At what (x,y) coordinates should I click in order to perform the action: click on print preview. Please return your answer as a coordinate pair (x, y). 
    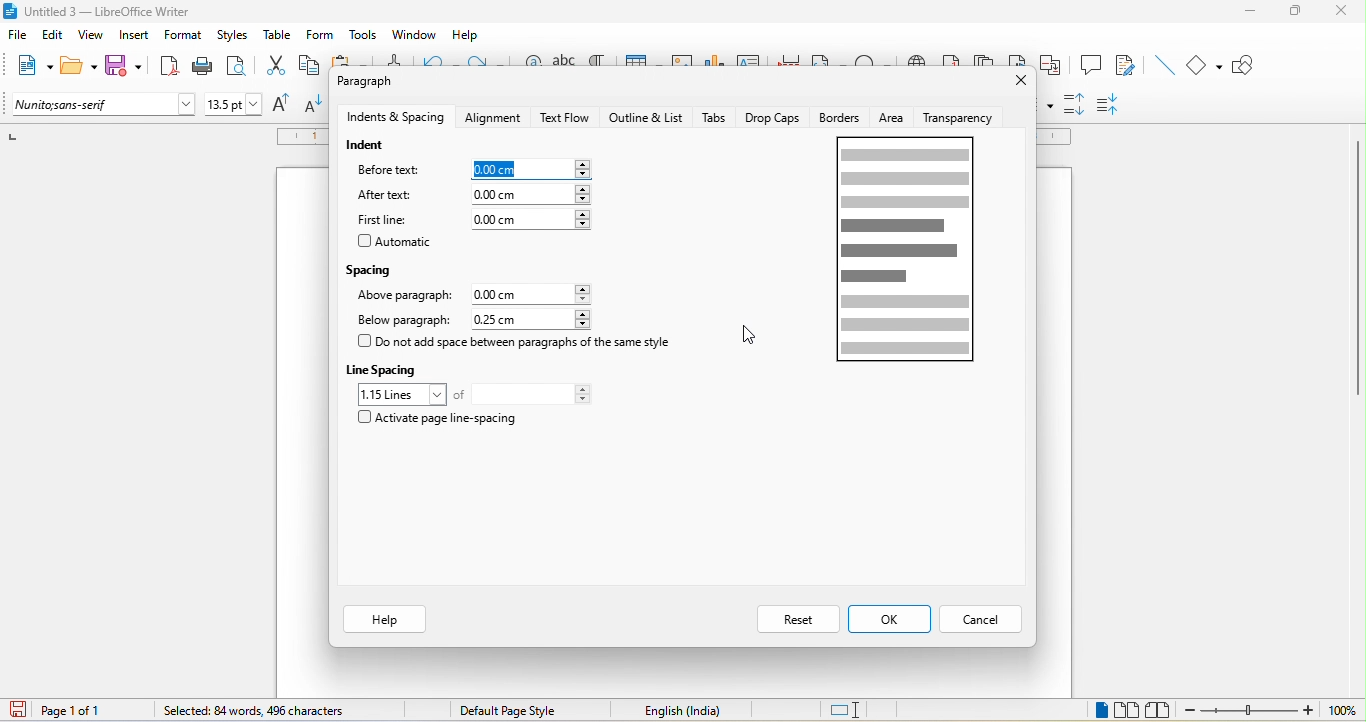
    Looking at the image, I should click on (241, 66).